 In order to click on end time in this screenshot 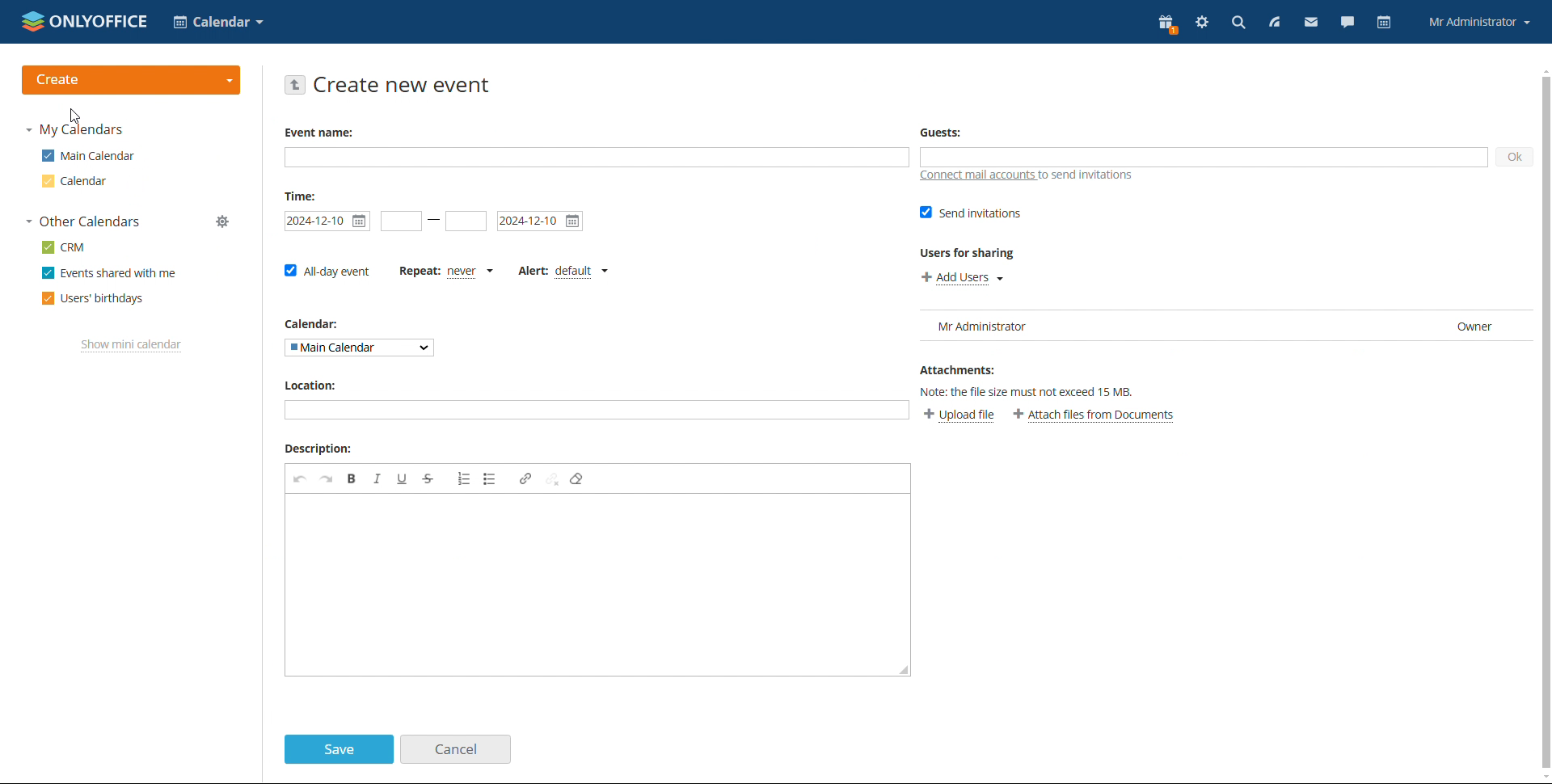, I will do `click(466, 221)`.